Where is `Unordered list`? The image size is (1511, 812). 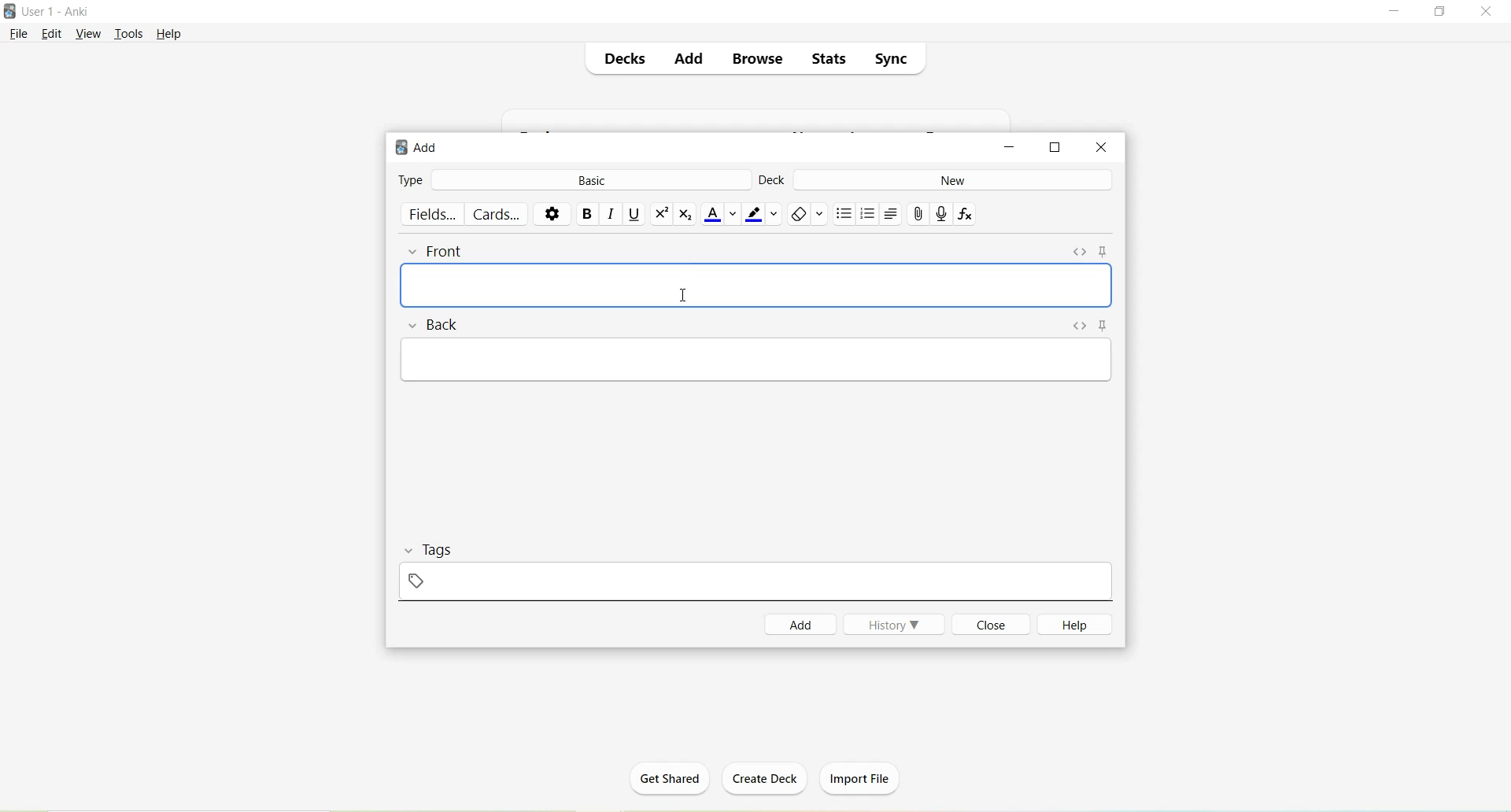
Unordered list is located at coordinates (843, 214).